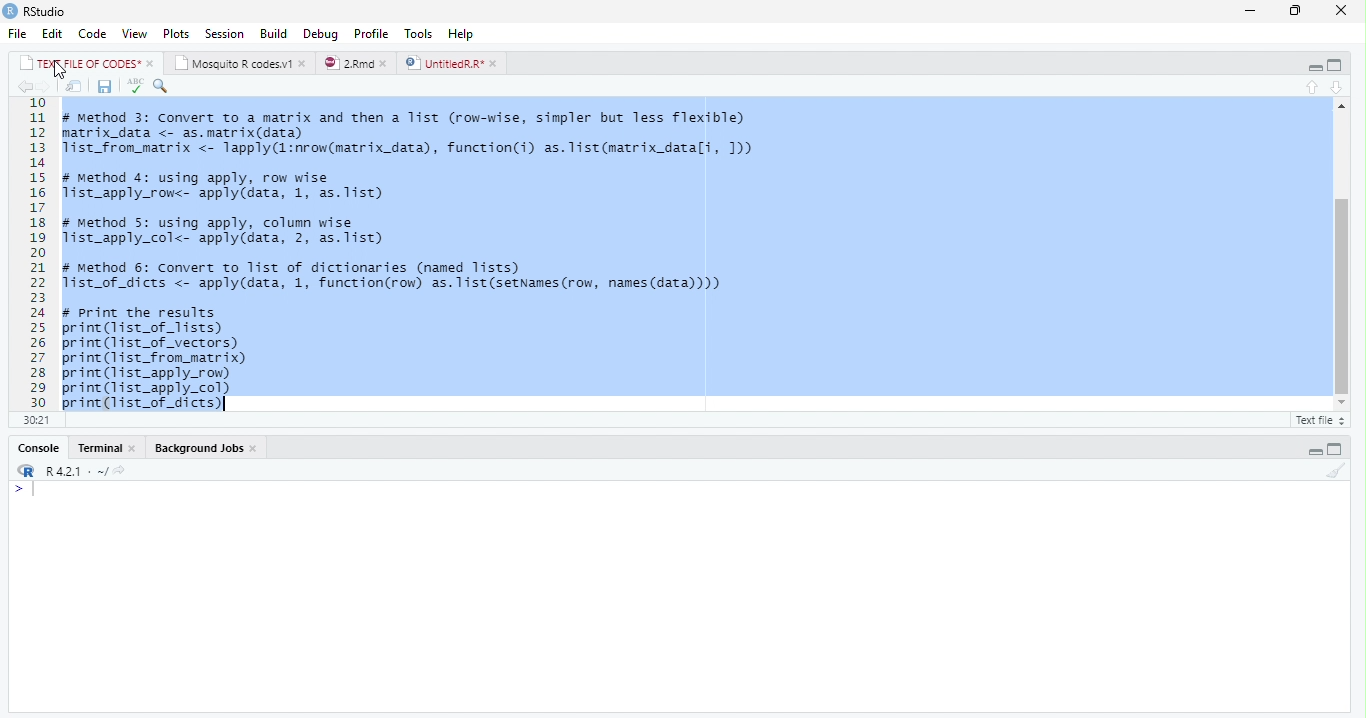 This screenshot has width=1366, height=718. I want to click on # Method 3: Convert to a matrix and then a list (row-wise, simpler but less flexible)matrix_data <- as.matrix(data)1ist_from matrix <- lapply(1:nrow(matrix_data), function(i) as.list(matrix_datali, 1))# method 4: using apply, row wise1i5t_apply_row<- apply(data, 1, as.list)# method 5: using apply, column wise1ist_apply_col<- apply(data, 2, as.list)# method 6: Convert to 1ist of dictionaries (named 1ists)1ist_of dicts <- apply(data, 1, function(row) as.1ist(setNames(row, names(data))))# print the resultsprint (1ist_of_1ists)print (11st_of vectors)print (11st_fron_matrix)print (115t_apply_row)print (115t_apply_col)orint(1ist_of_dicts)|, so click(425, 254).